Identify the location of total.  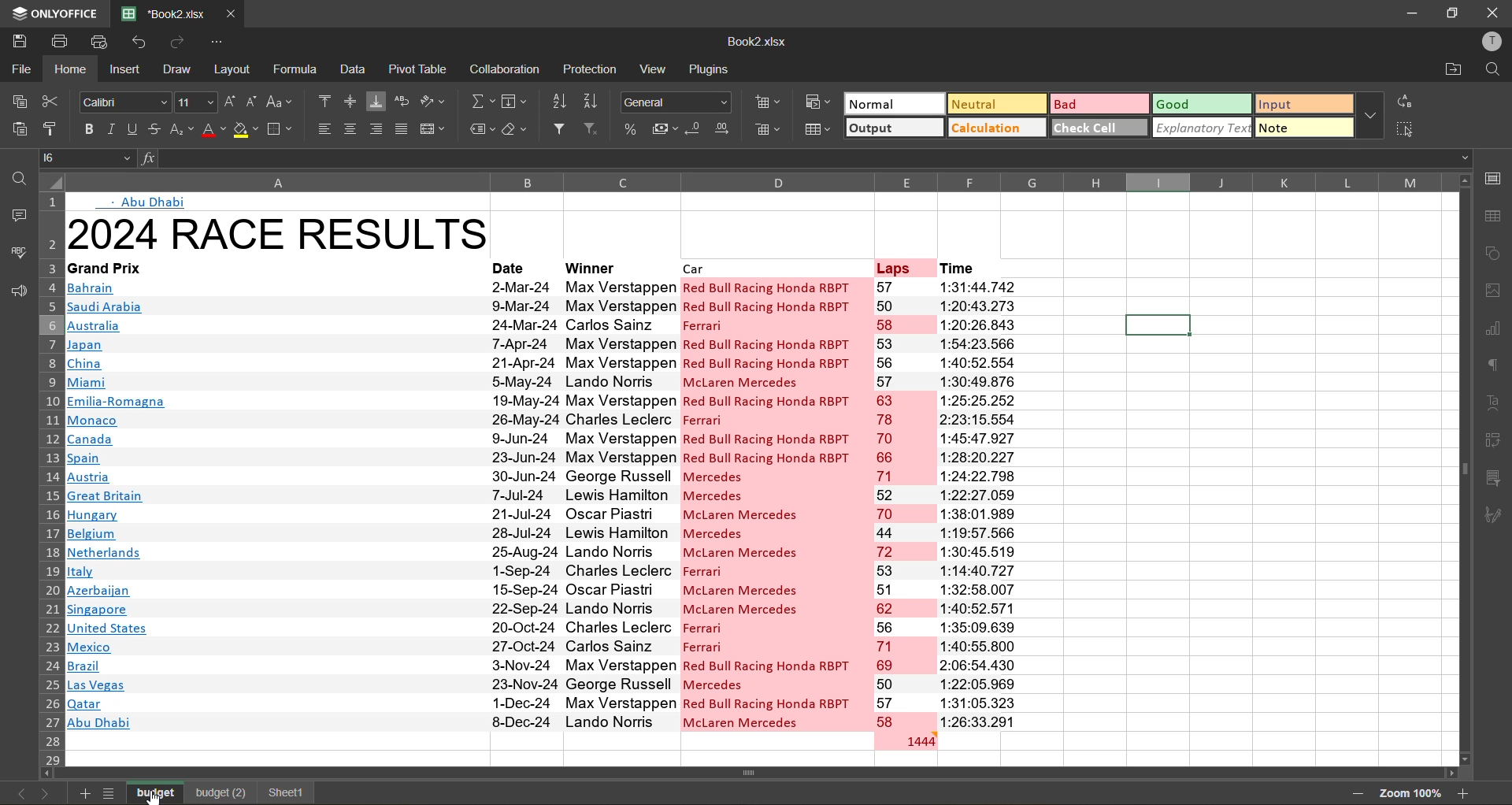
(905, 740).